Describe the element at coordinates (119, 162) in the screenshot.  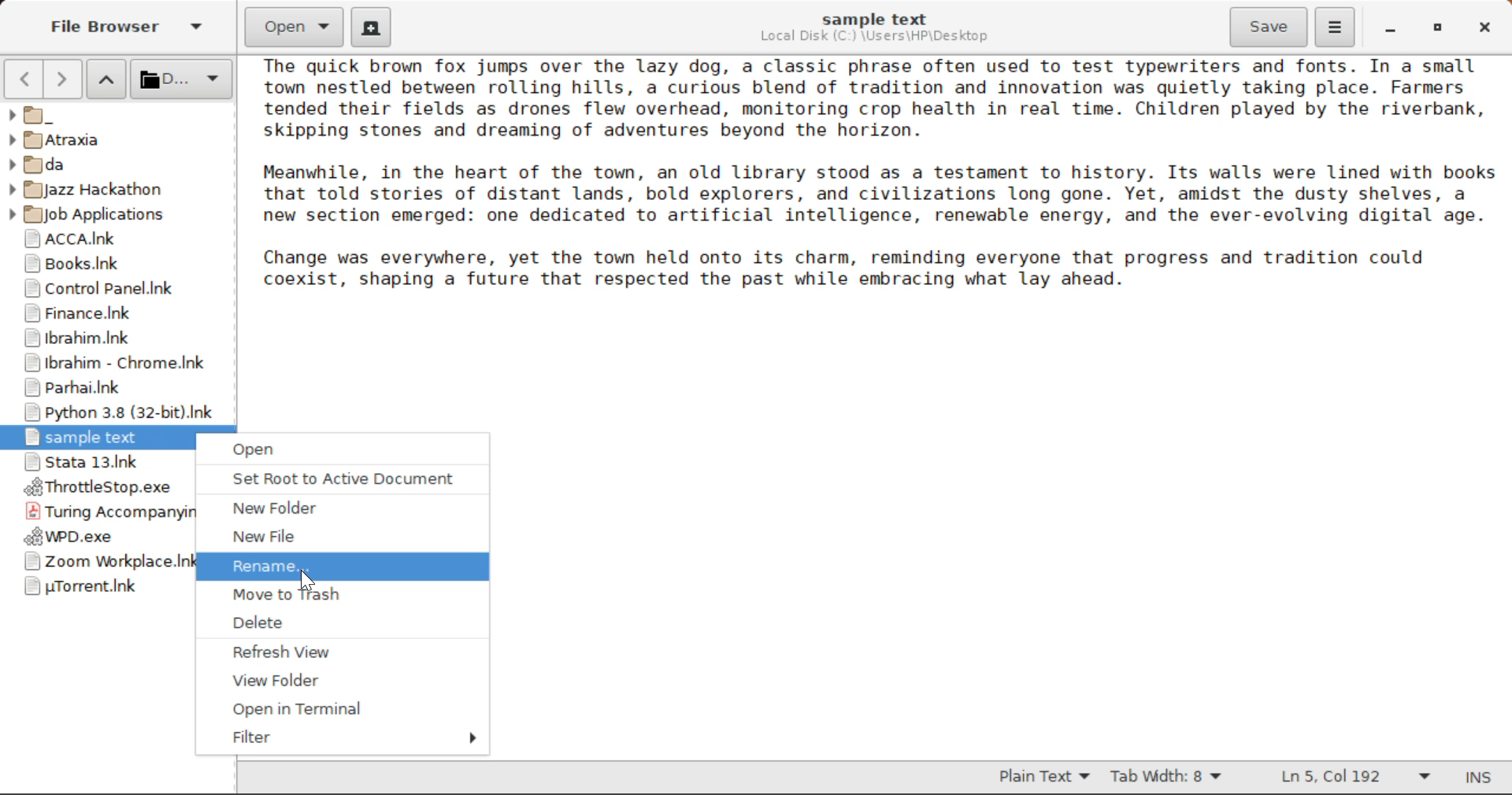
I see `da Folder` at that location.